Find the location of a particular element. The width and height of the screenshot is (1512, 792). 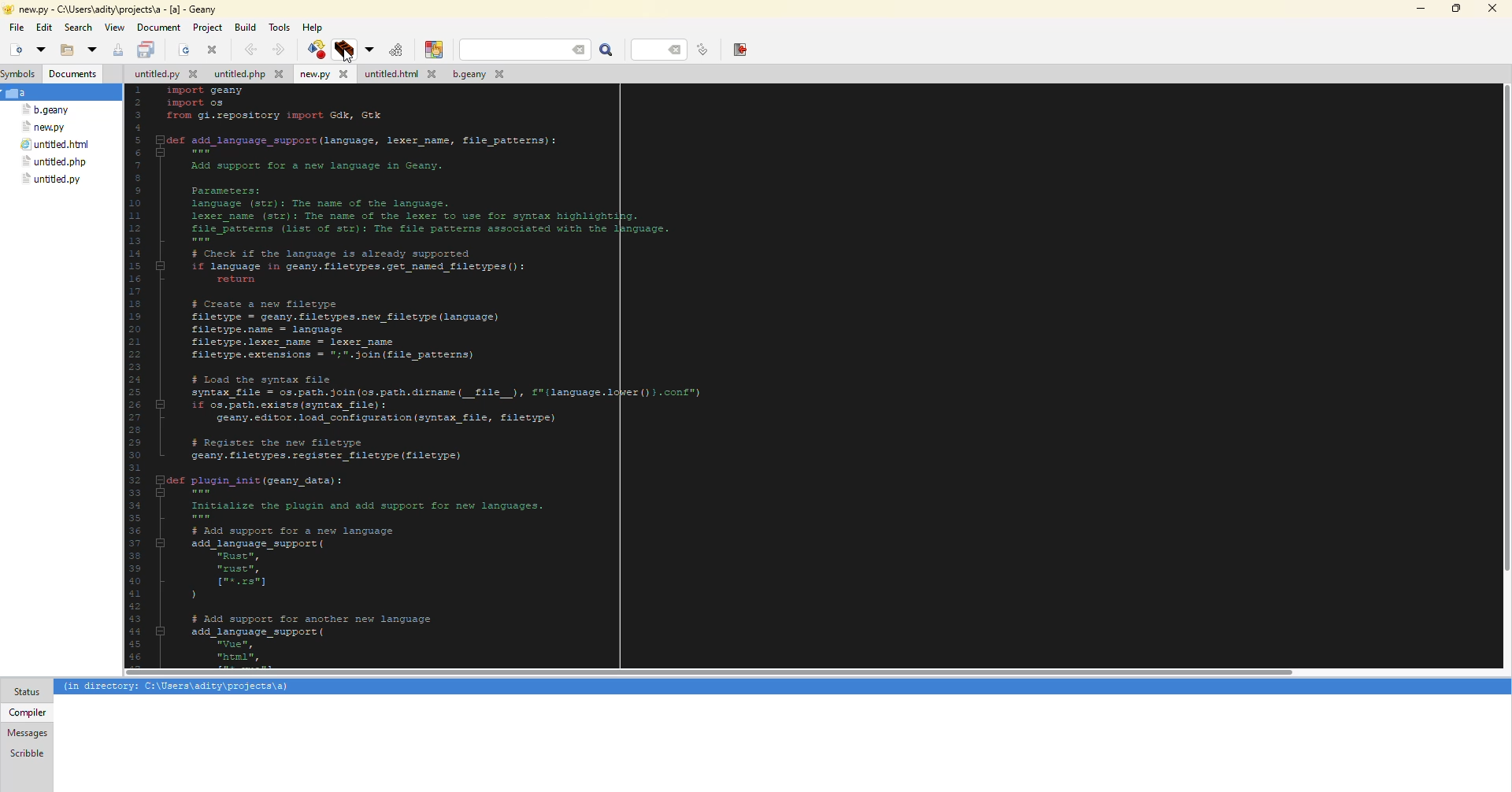

back is located at coordinates (251, 49).